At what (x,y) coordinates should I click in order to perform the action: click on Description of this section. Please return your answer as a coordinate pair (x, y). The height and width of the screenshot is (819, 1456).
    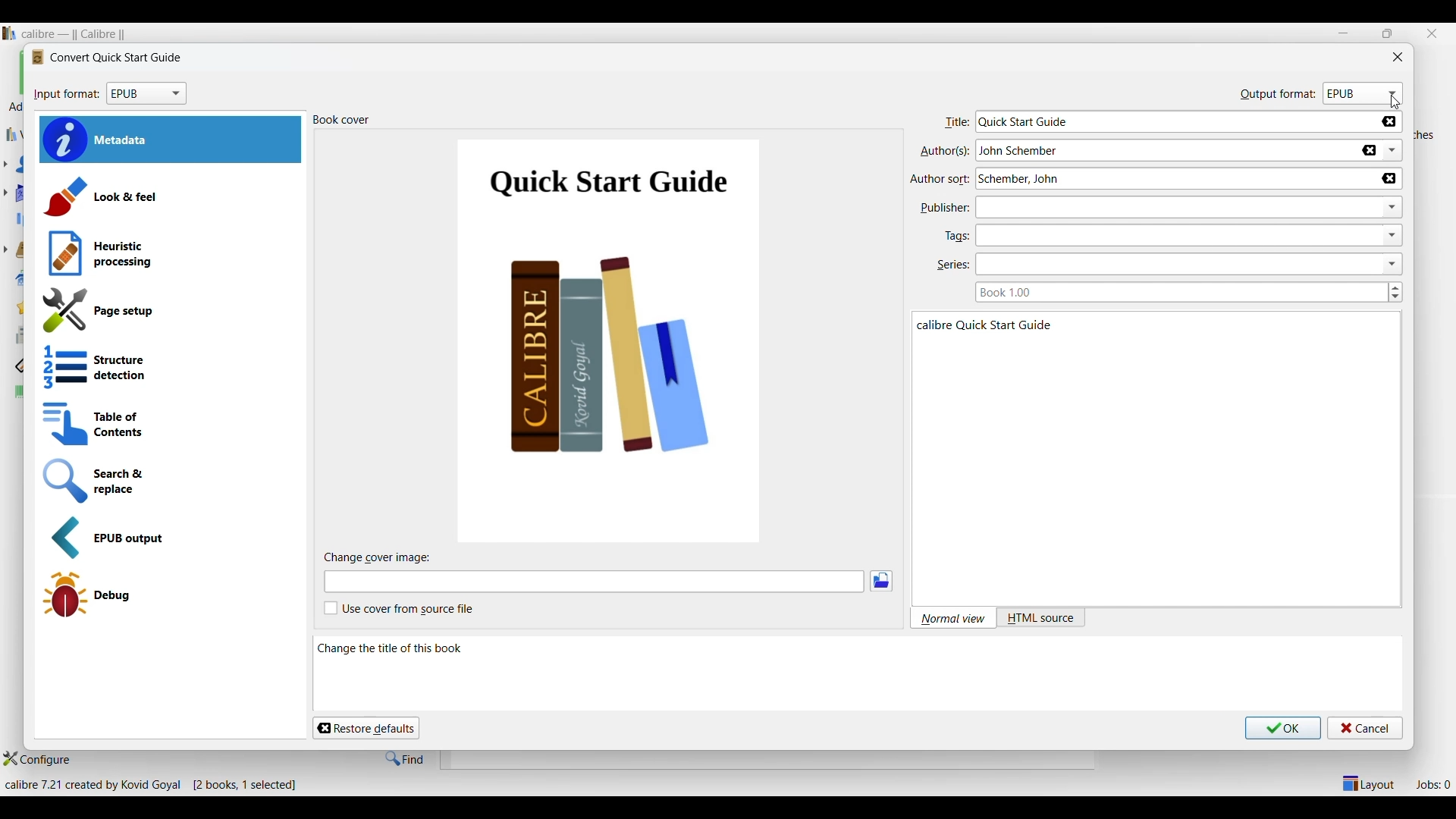
    Looking at the image, I should click on (821, 674).